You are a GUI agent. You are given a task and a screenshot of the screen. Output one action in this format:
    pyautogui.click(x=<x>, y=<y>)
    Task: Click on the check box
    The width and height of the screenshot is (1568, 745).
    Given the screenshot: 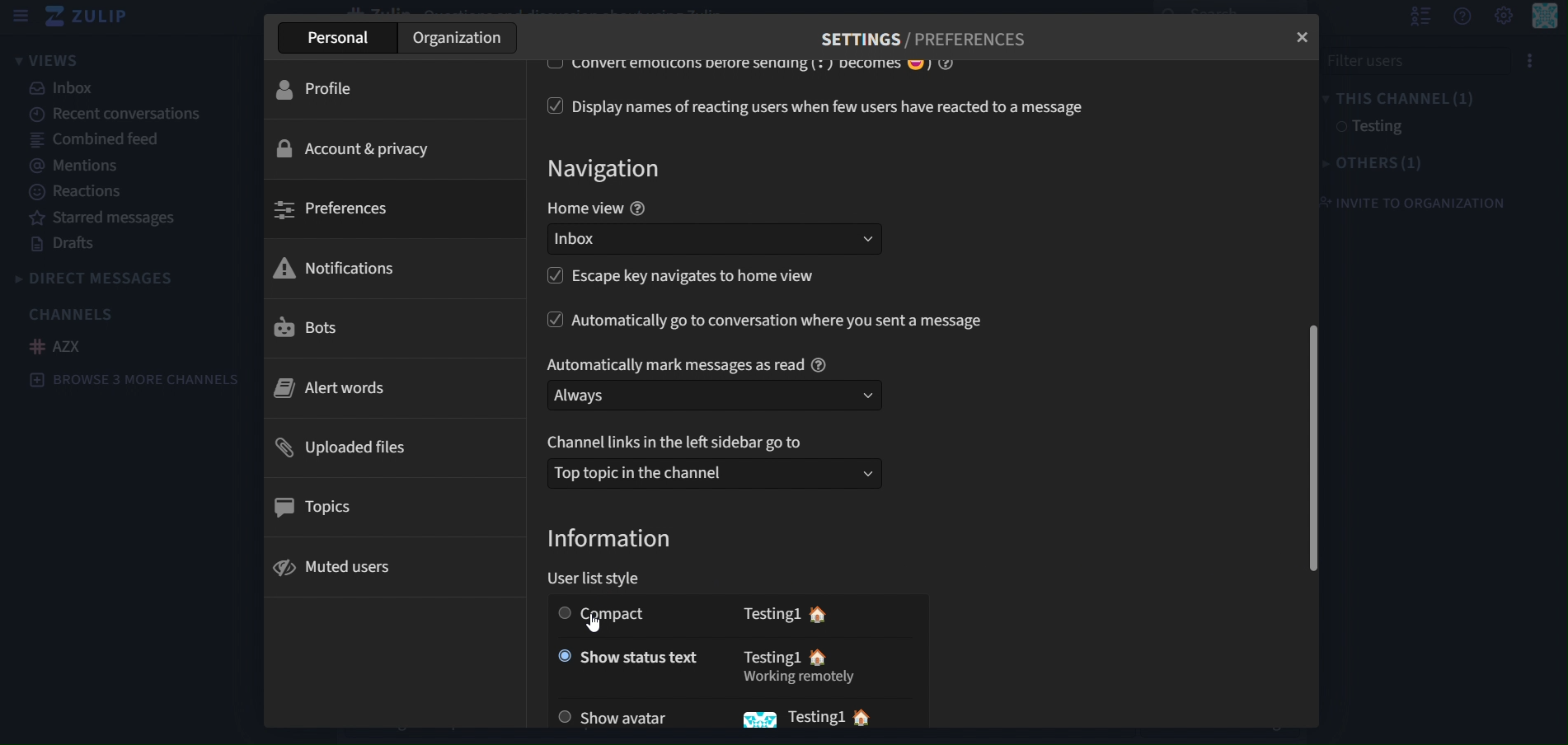 What is the action you would take?
    pyautogui.click(x=550, y=105)
    